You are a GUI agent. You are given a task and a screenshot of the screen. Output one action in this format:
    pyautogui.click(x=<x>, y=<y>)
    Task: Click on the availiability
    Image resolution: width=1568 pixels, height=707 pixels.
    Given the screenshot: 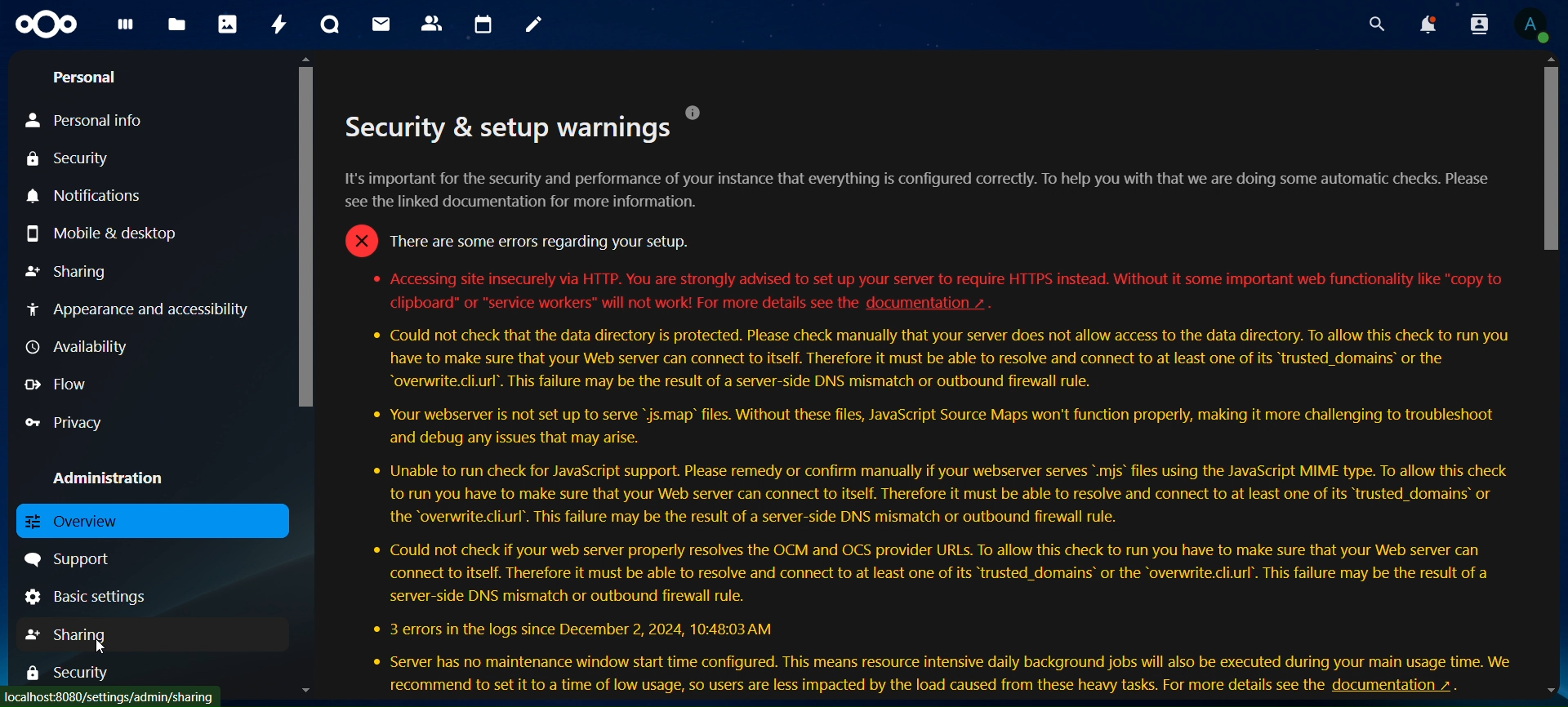 What is the action you would take?
    pyautogui.click(x=78, y=346)
    